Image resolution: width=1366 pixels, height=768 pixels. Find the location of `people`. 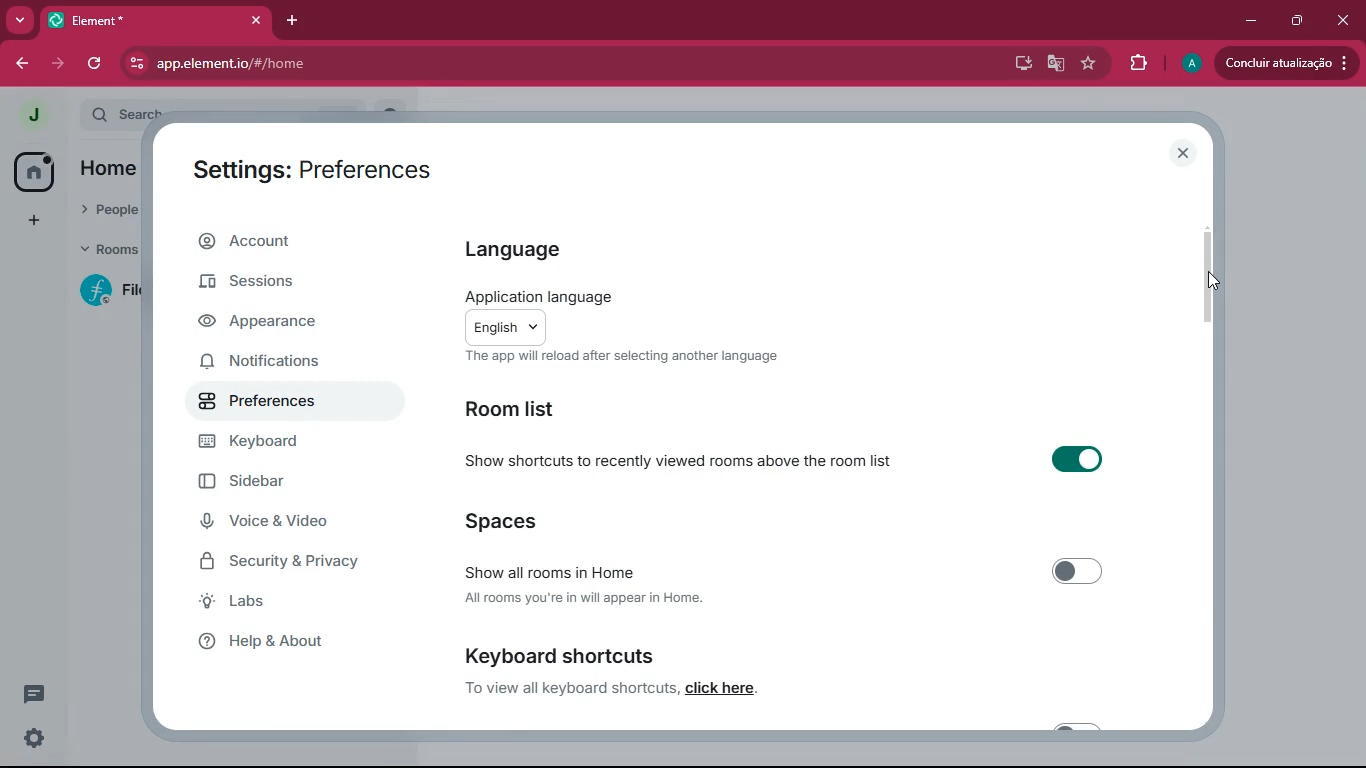

people is located at coordinates (108, 213).